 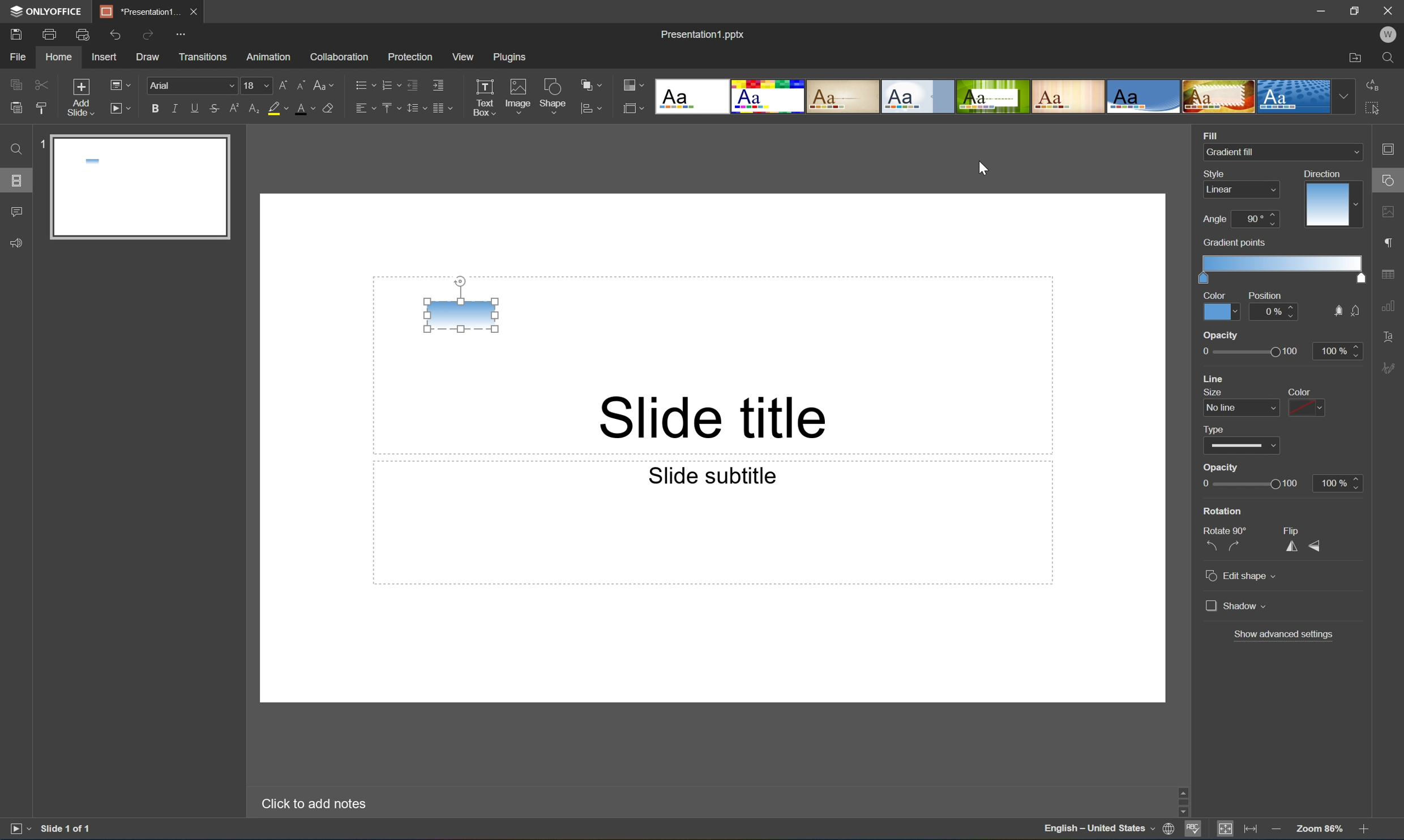 I want to click on Scroll Down, so click(x=1363, y=812).